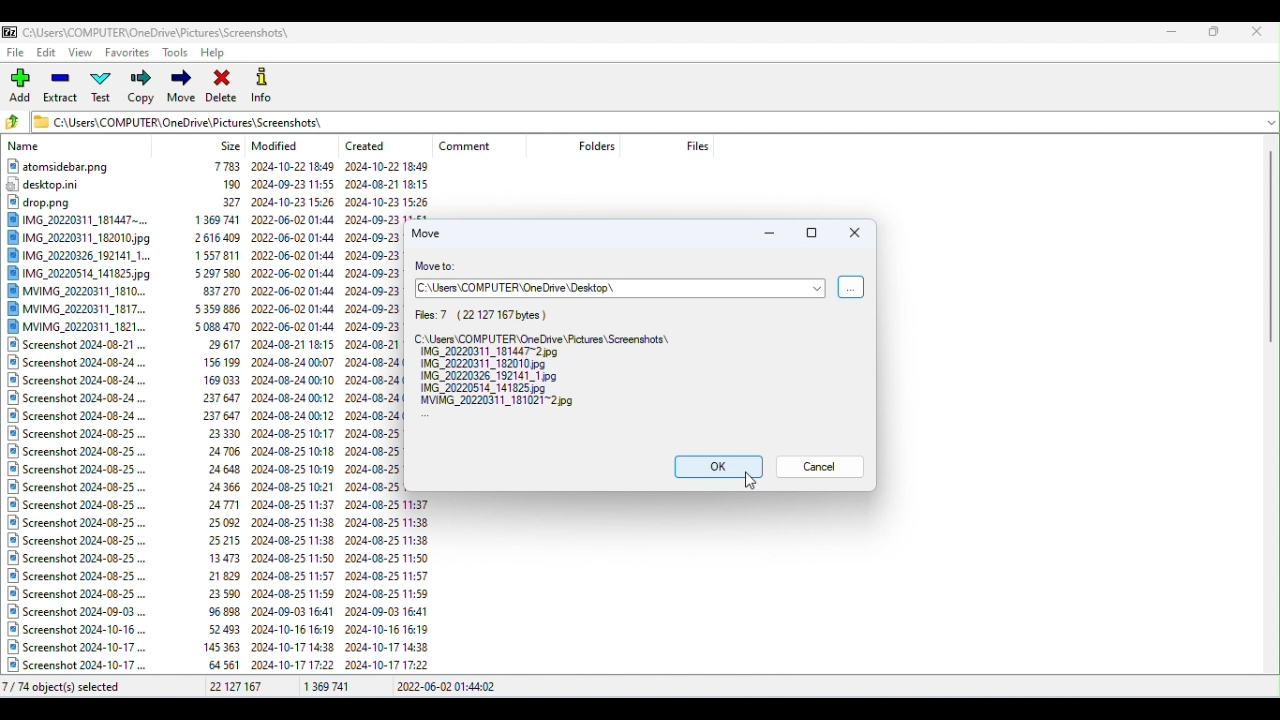 This screenshot has height=720, width=1280. I want to click on cancle, so click(823, 467).